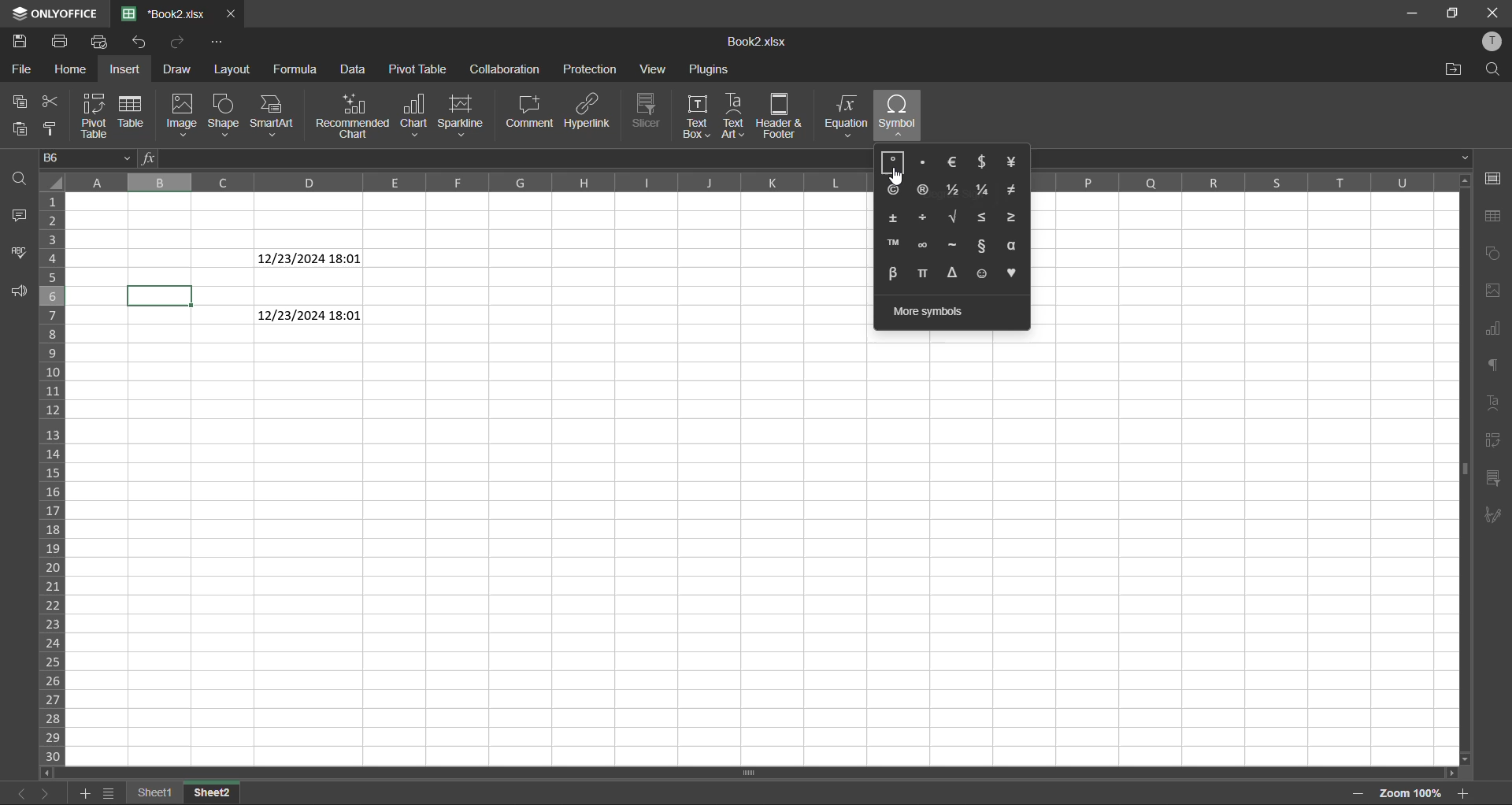 The height and width of the screenshot is (805, 1512). I want to click on find, so click(1492, 69).